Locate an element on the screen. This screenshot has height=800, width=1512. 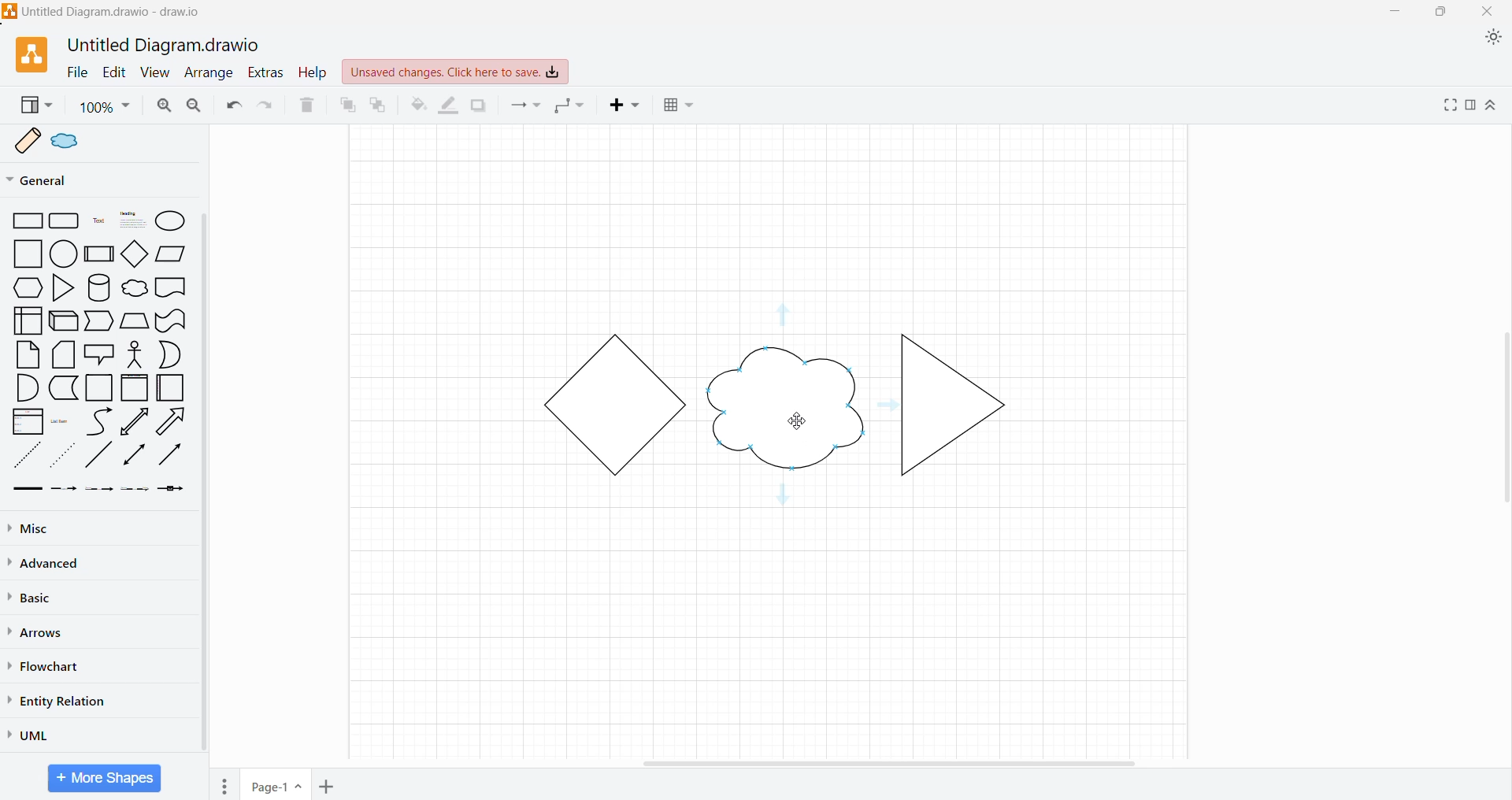
Misc is located at coordinates (41, 528).